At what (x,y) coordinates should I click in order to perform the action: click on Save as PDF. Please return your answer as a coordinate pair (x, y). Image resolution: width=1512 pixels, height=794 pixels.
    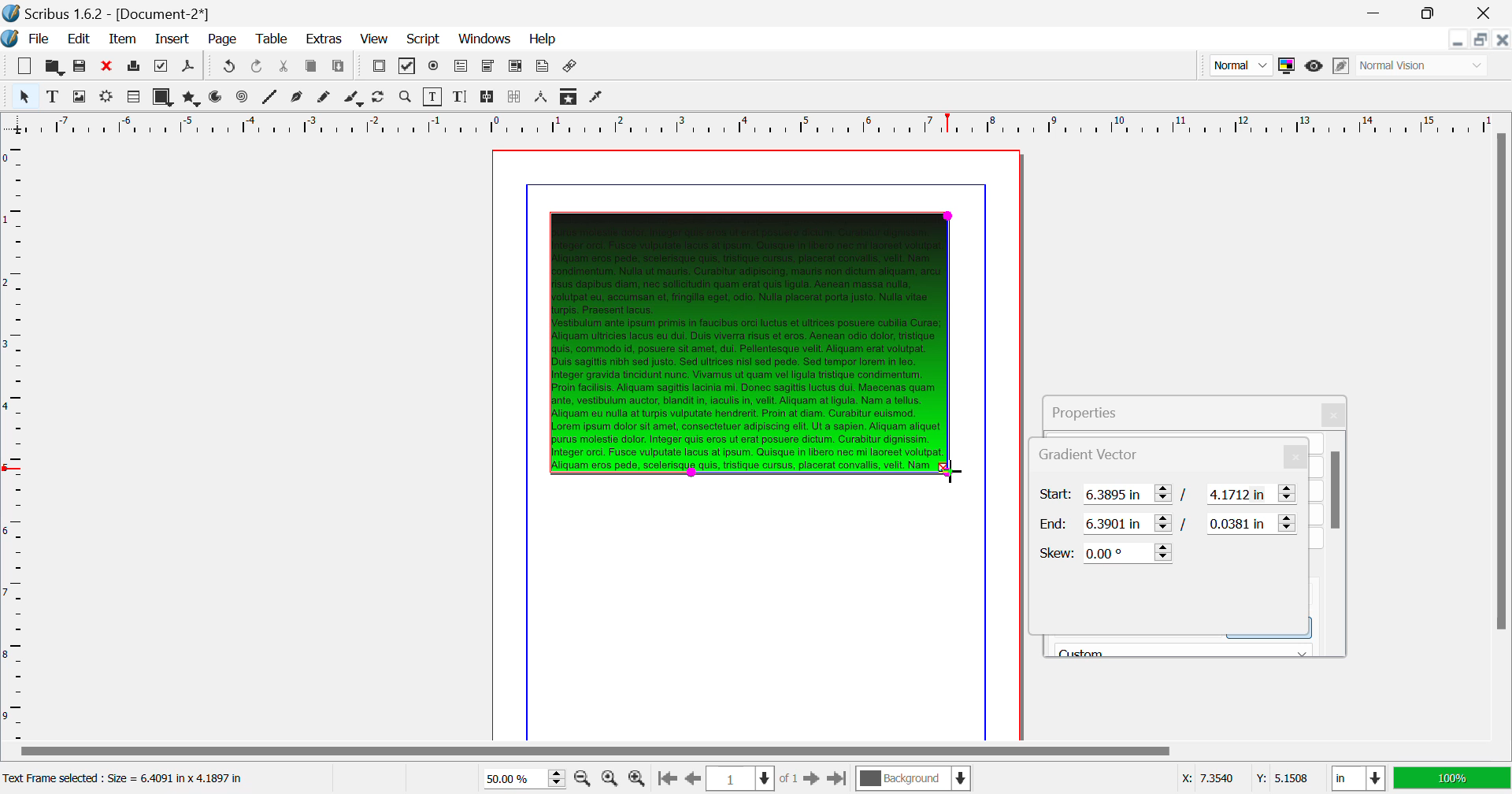
    Looking at the image, I should click on (189, 68).